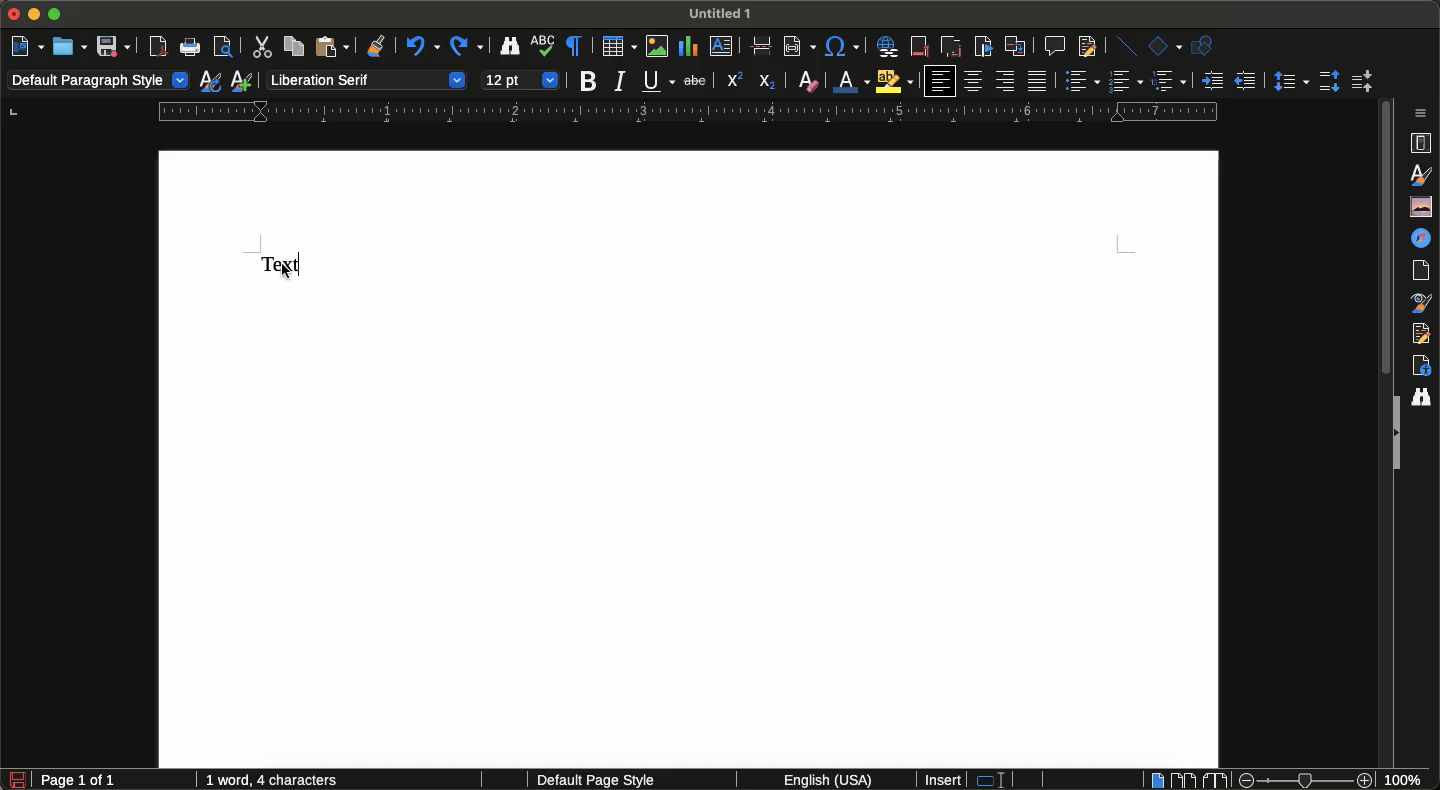 Image resolution: width=1440 pixels, height=790 pixels. Describe the element at coordinates (1005, 82) in the screenshot. I see `Align right ` at that location.